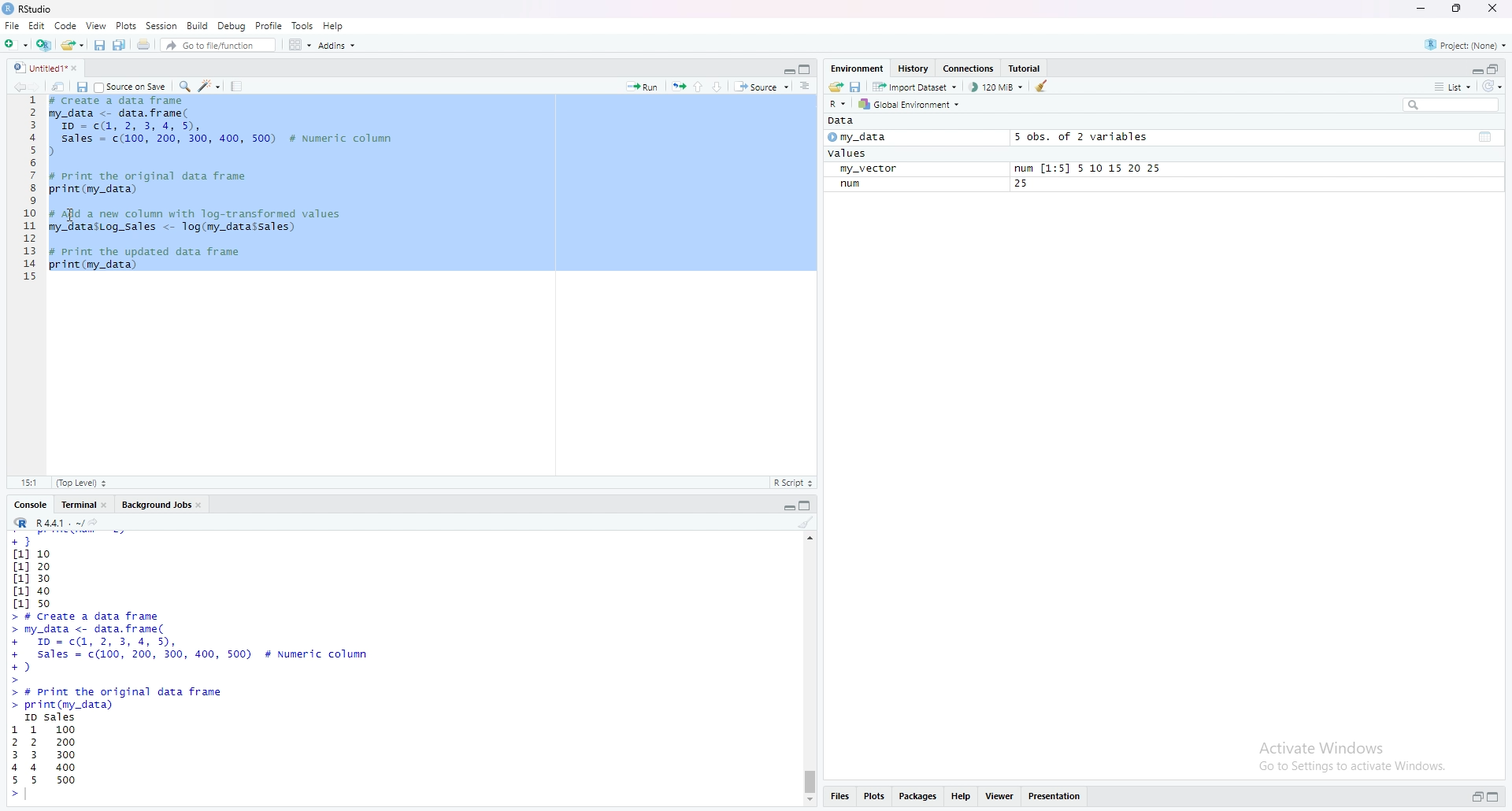 This screenshot has height=811, width=1512. Describe the element at coordinates (198, 25) in the screenshot. I see `Build` at that location.